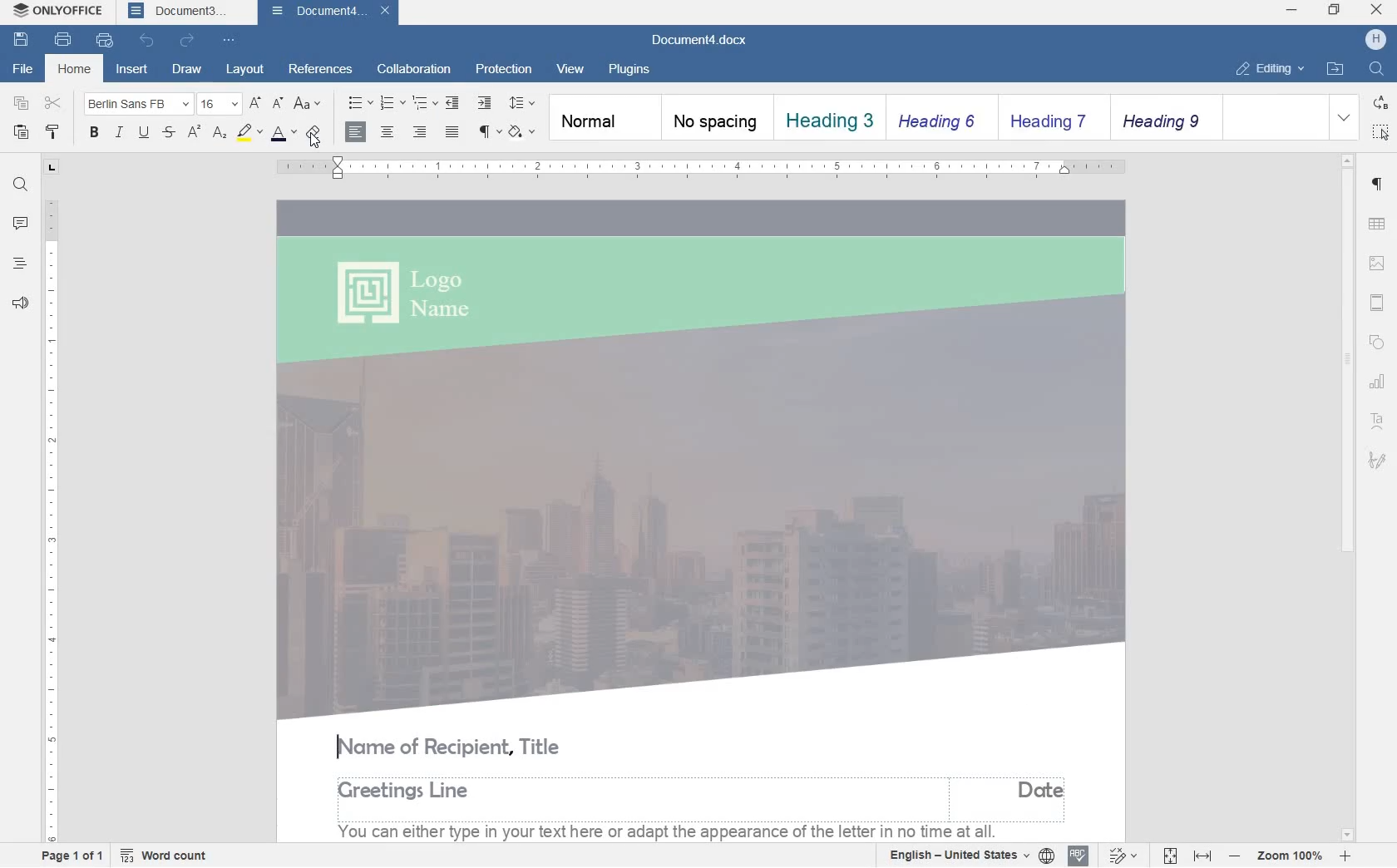 The height and width of the screenshot is (868, 1397). I want to click on shading, so click(523, 133).